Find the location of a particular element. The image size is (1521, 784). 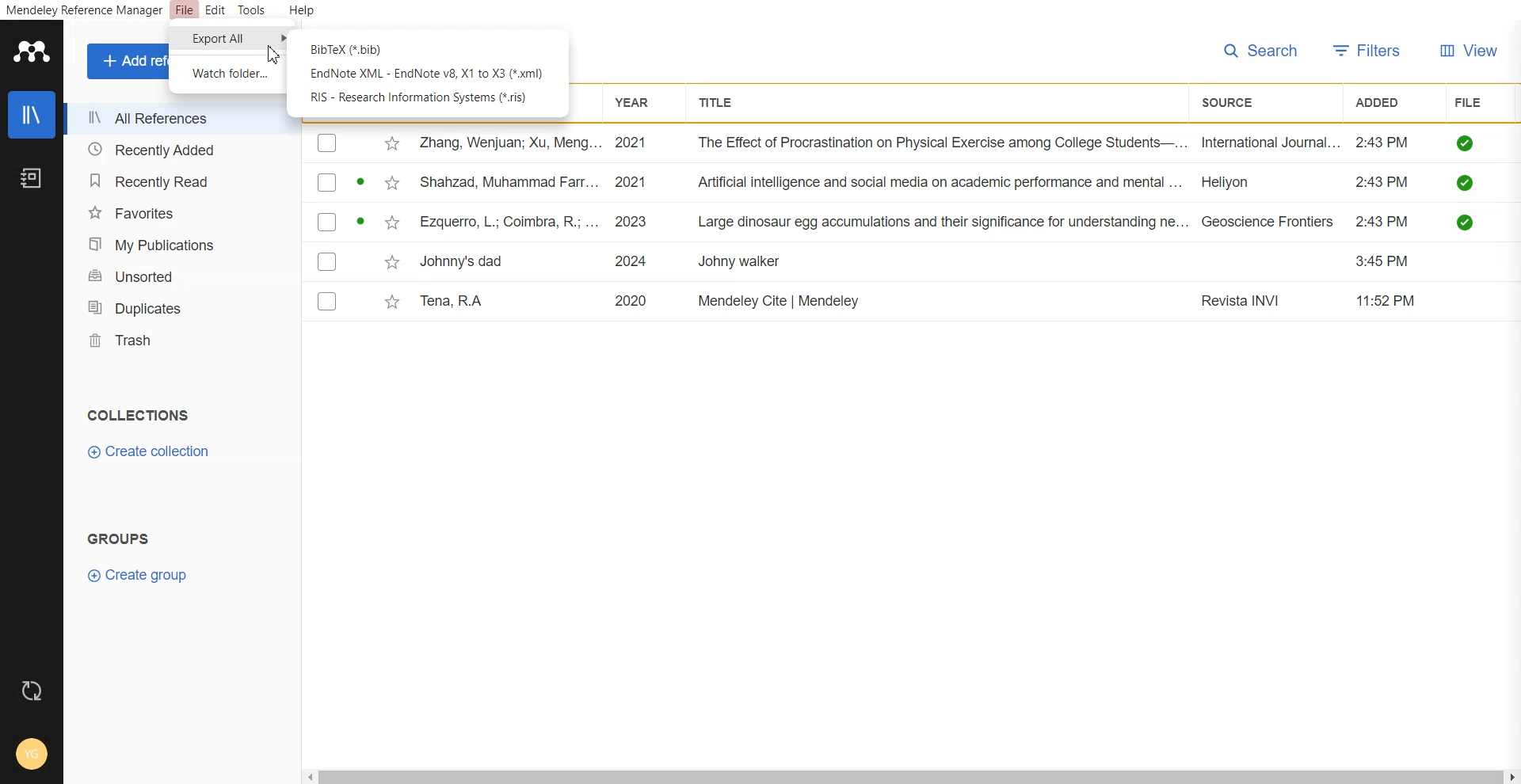

Watch folder is located at coordinates (229, 73).